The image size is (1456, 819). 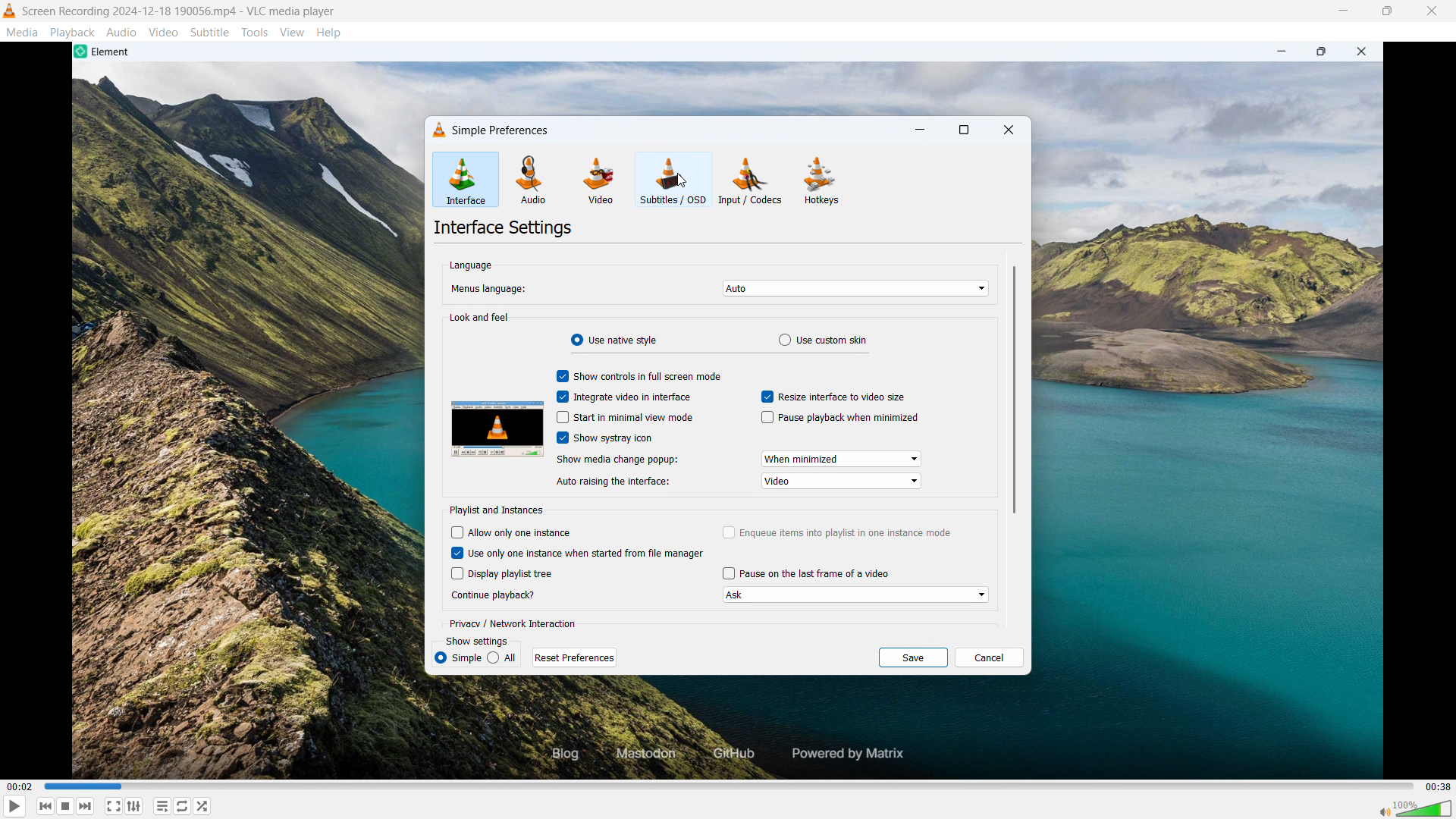 What do you see at coordinates (842, 460) in the screenshot?
I see `select when to show media change popup` at bounding box center [842, 460].